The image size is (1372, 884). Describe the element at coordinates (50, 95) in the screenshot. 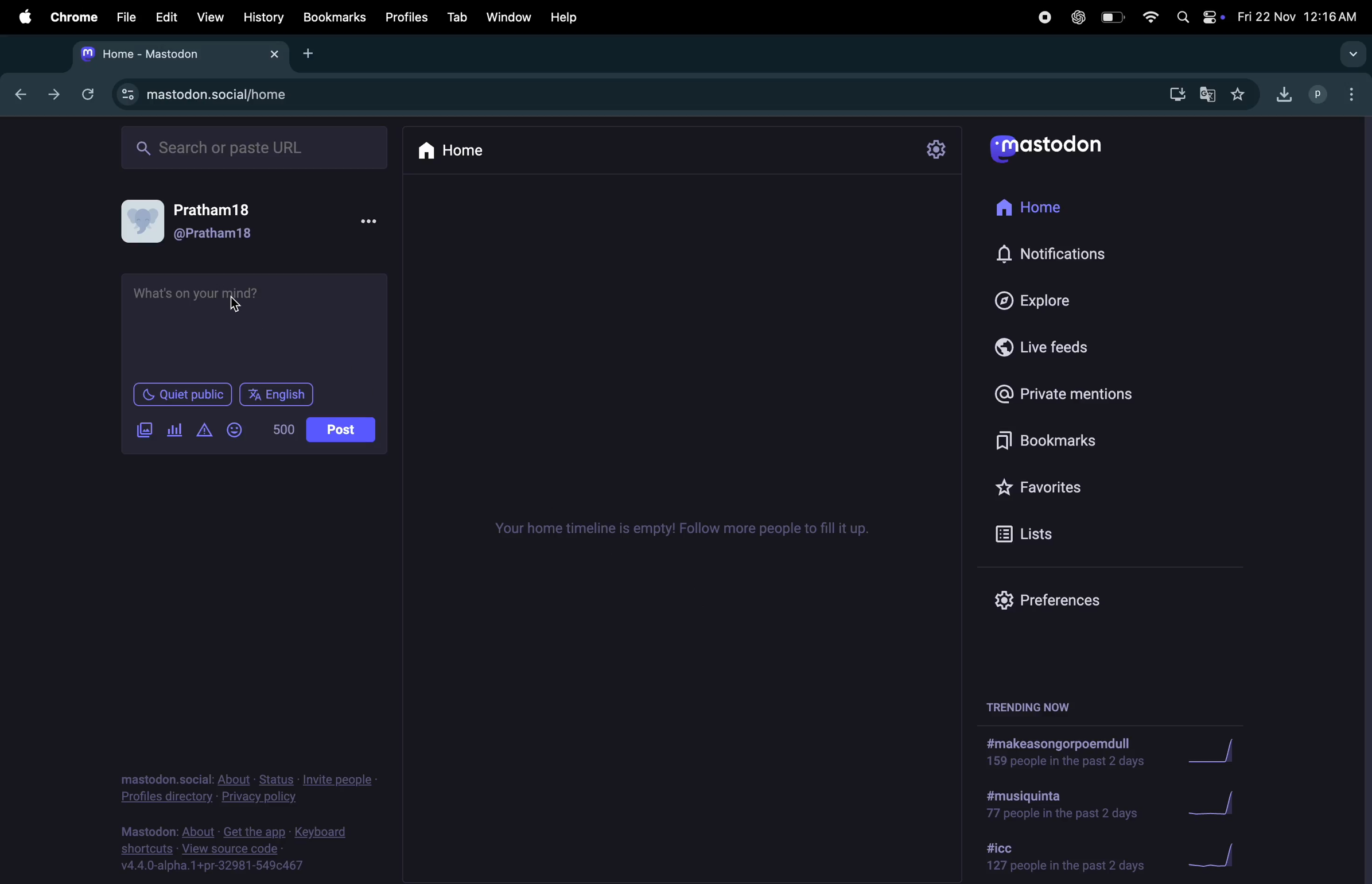

I see `next tab` at that location.